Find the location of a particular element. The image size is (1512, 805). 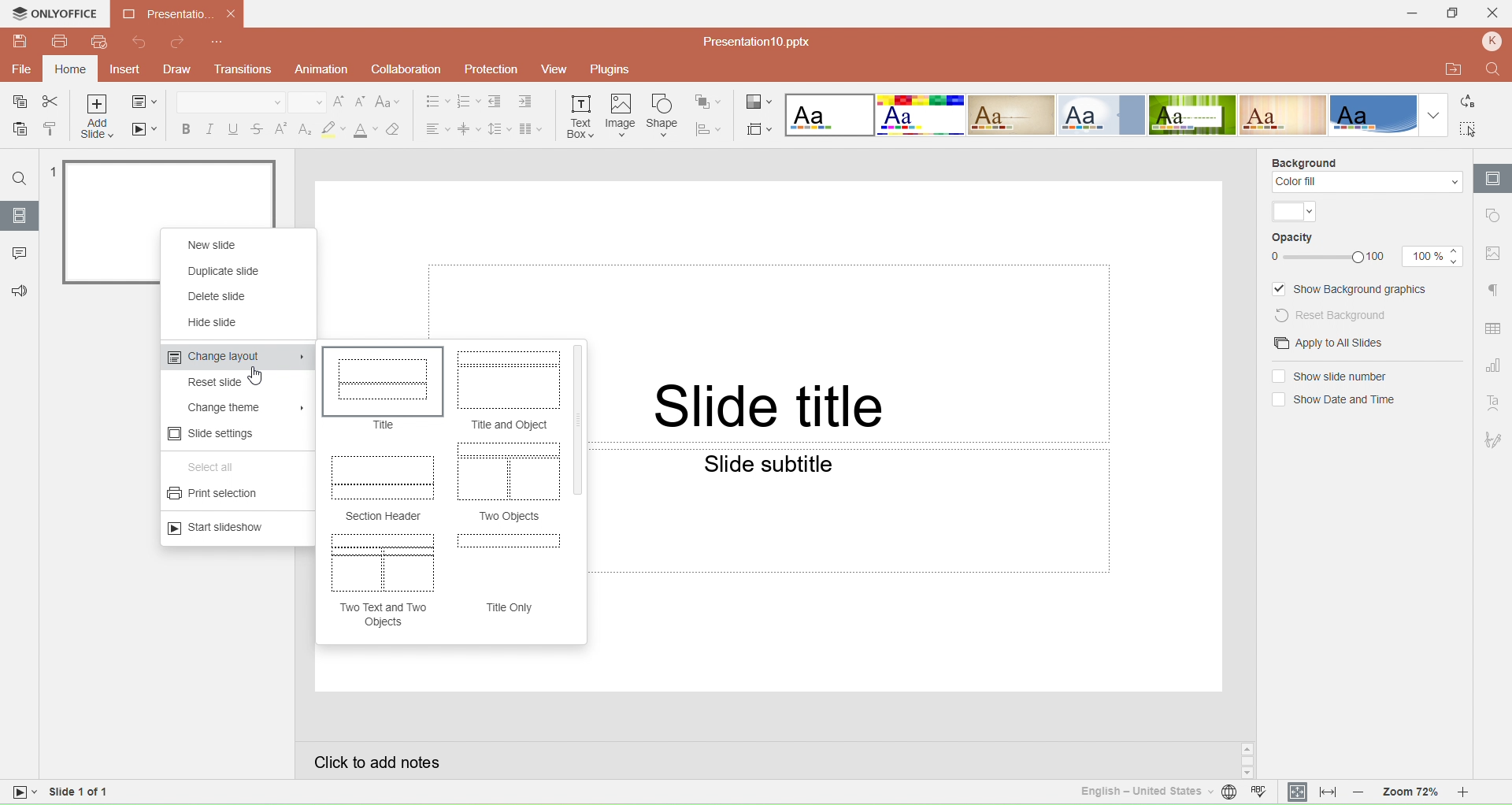

Slide 1 0f 1 is located at coordinates (72, 793).